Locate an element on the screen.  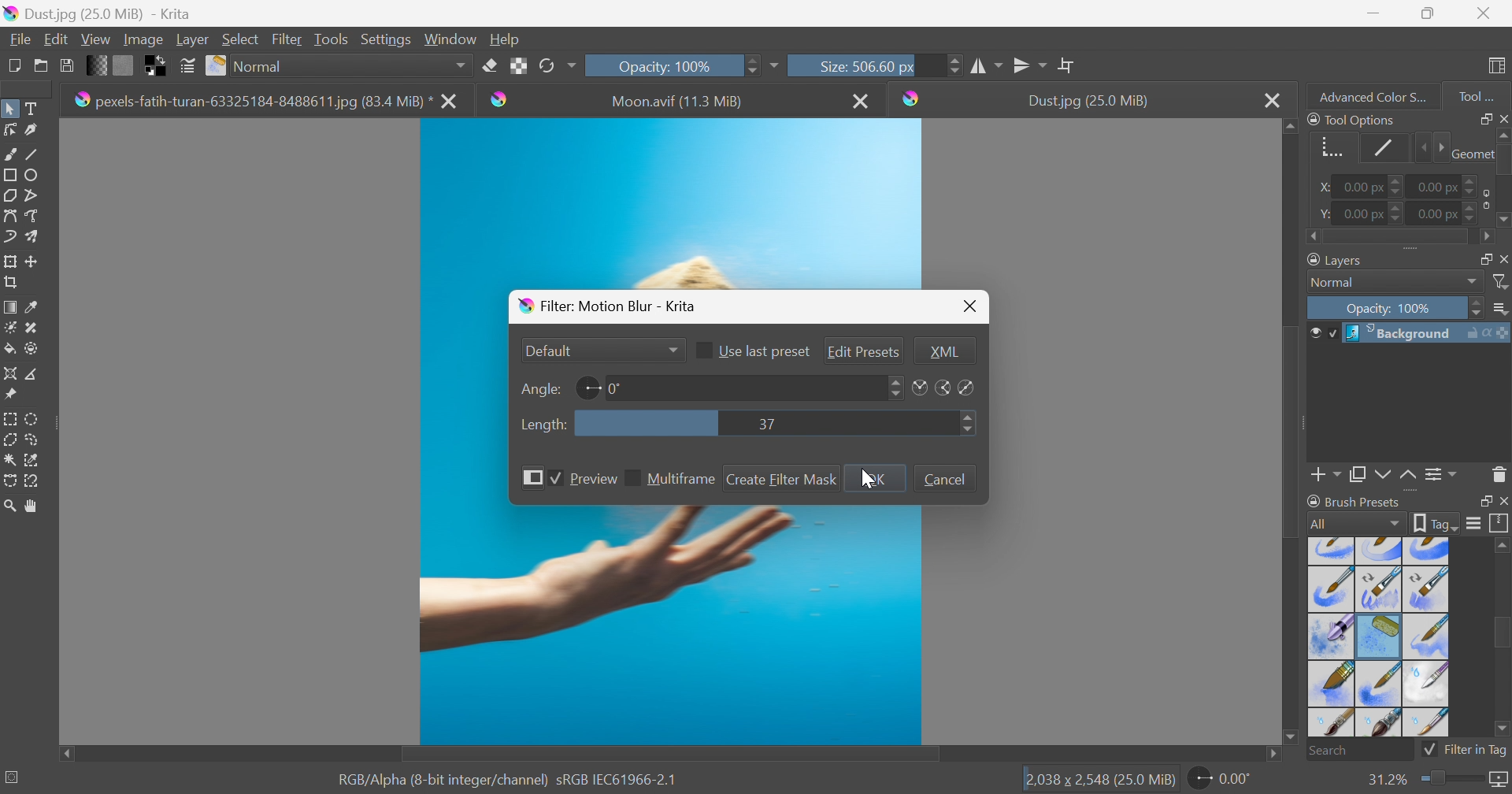
Elliptical selection tool is located at coordinates (33, 418).